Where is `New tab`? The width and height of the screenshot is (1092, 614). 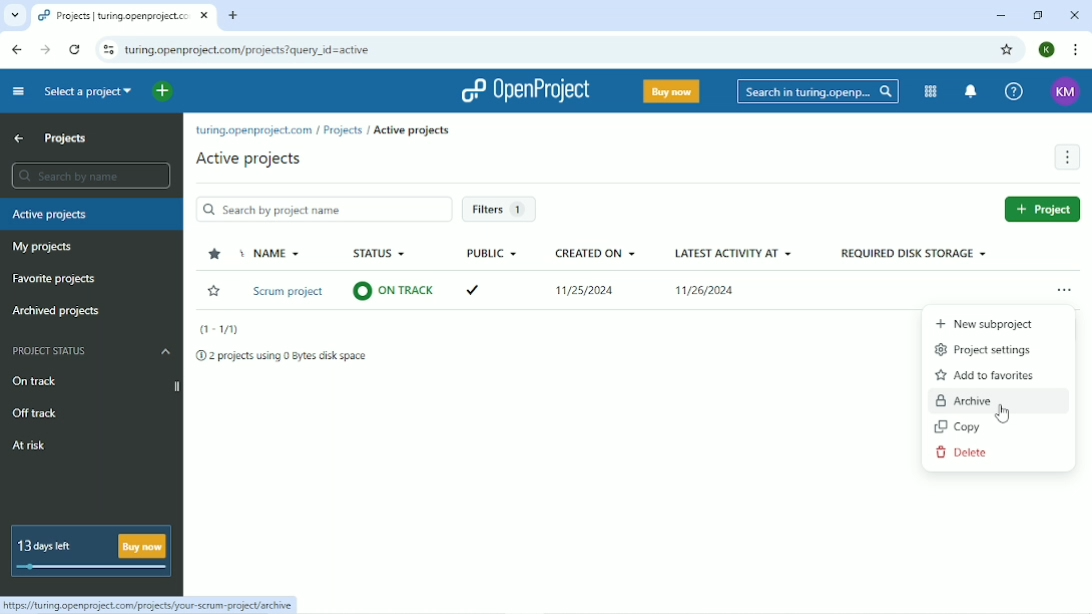 New tab is located at coordinates (233, 15).